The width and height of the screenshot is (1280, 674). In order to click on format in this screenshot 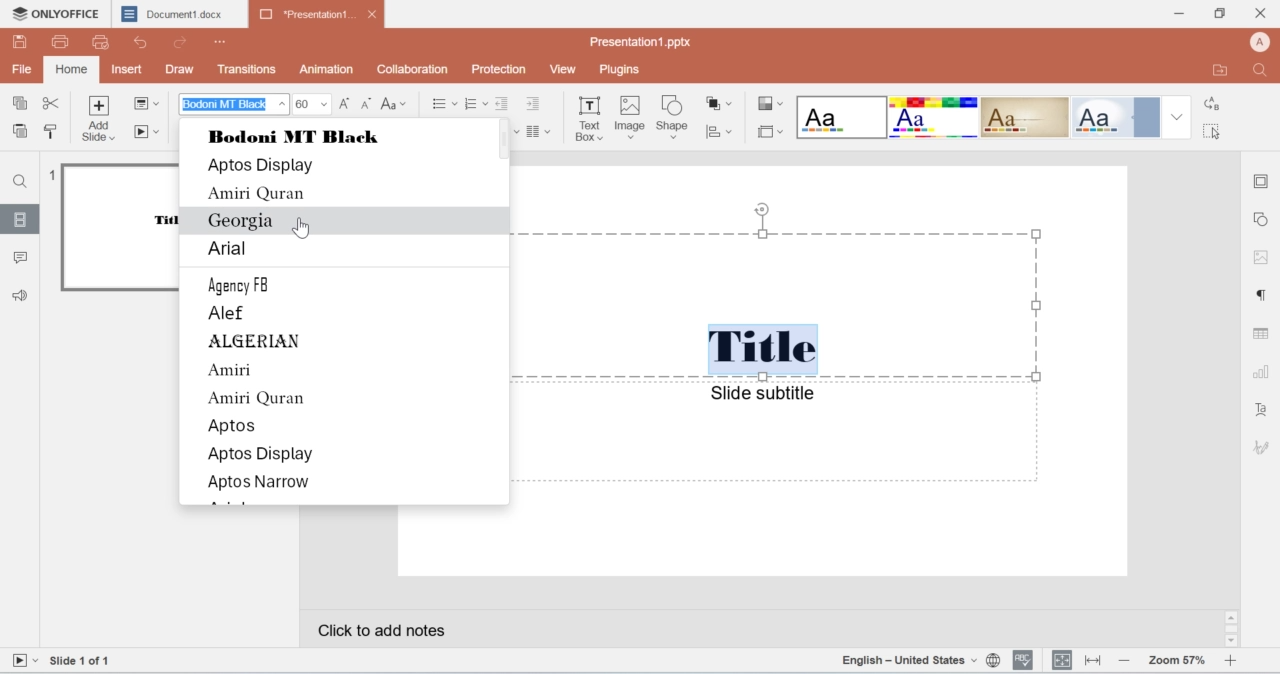, I will do `click(995, 117)`.